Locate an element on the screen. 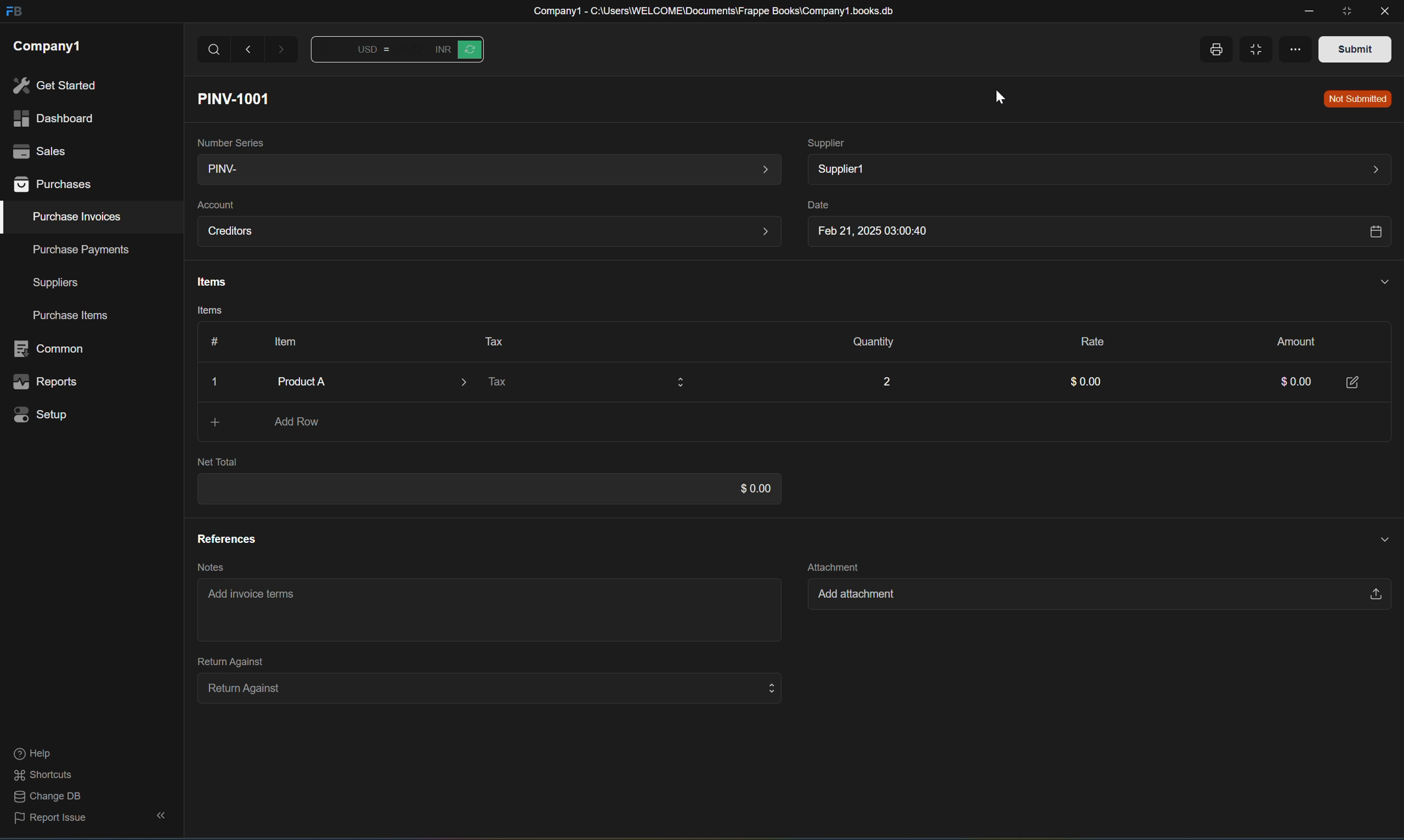  dashboard is located at coordinates (52, 119).